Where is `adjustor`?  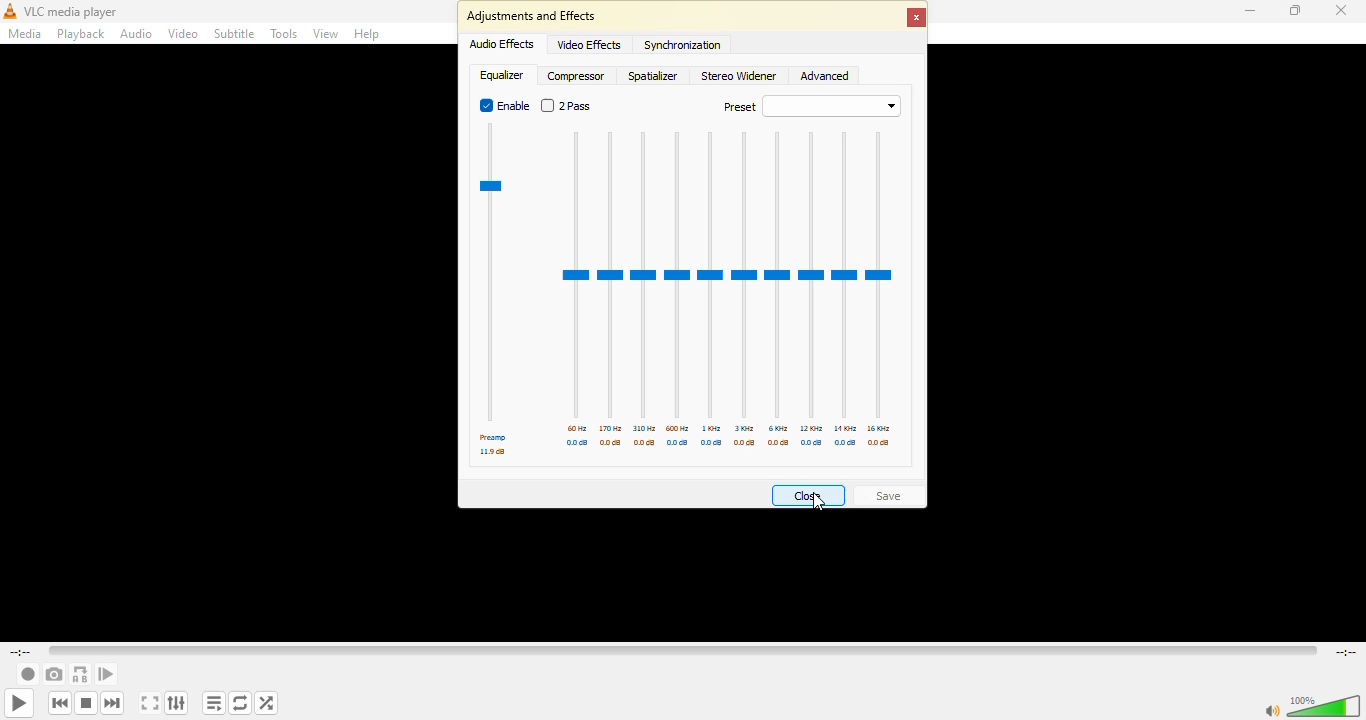 adjustor is located at coordinates (811, 276).